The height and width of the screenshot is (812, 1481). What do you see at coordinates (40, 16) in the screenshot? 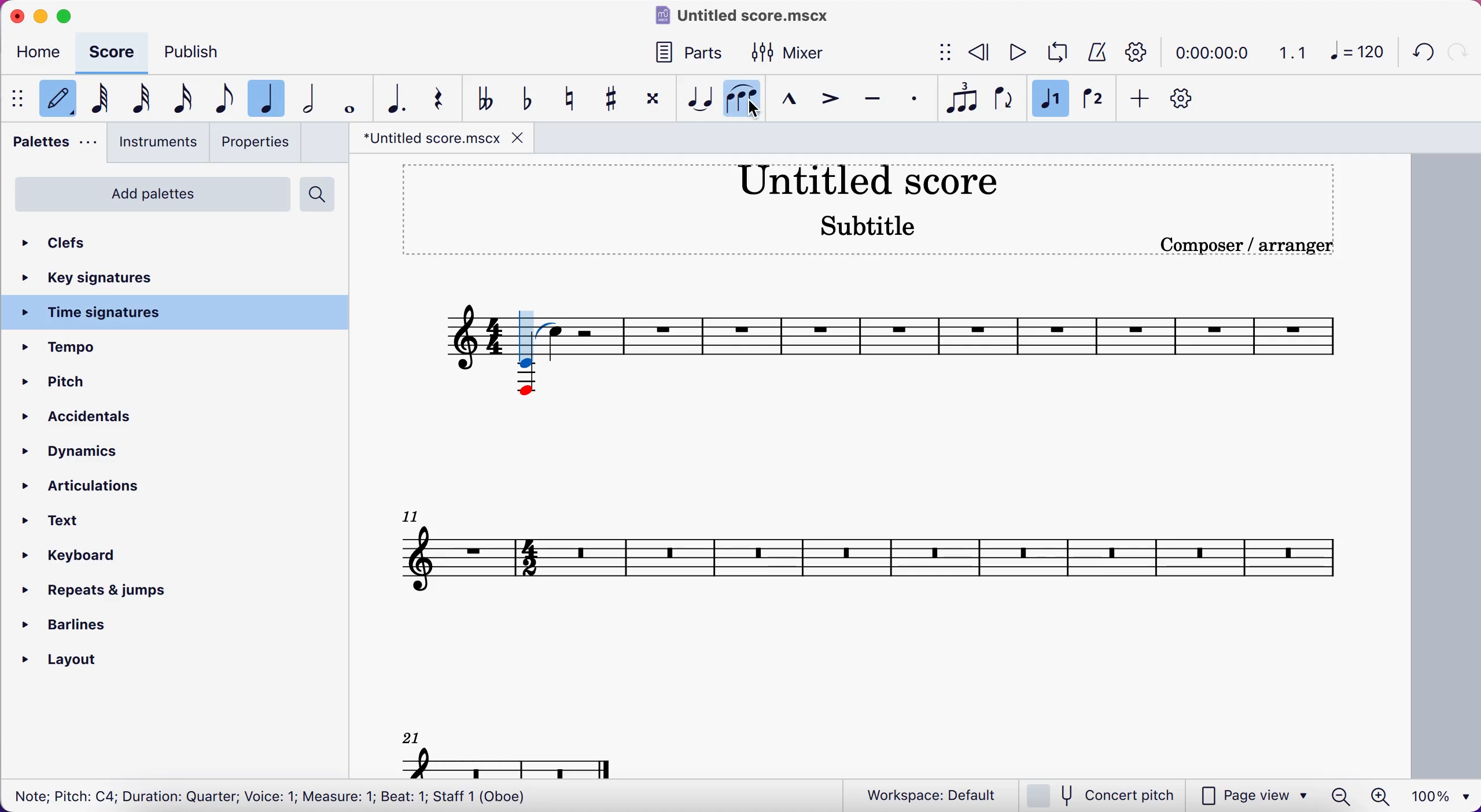
I see `minimize` at bounding box center [40, 16].